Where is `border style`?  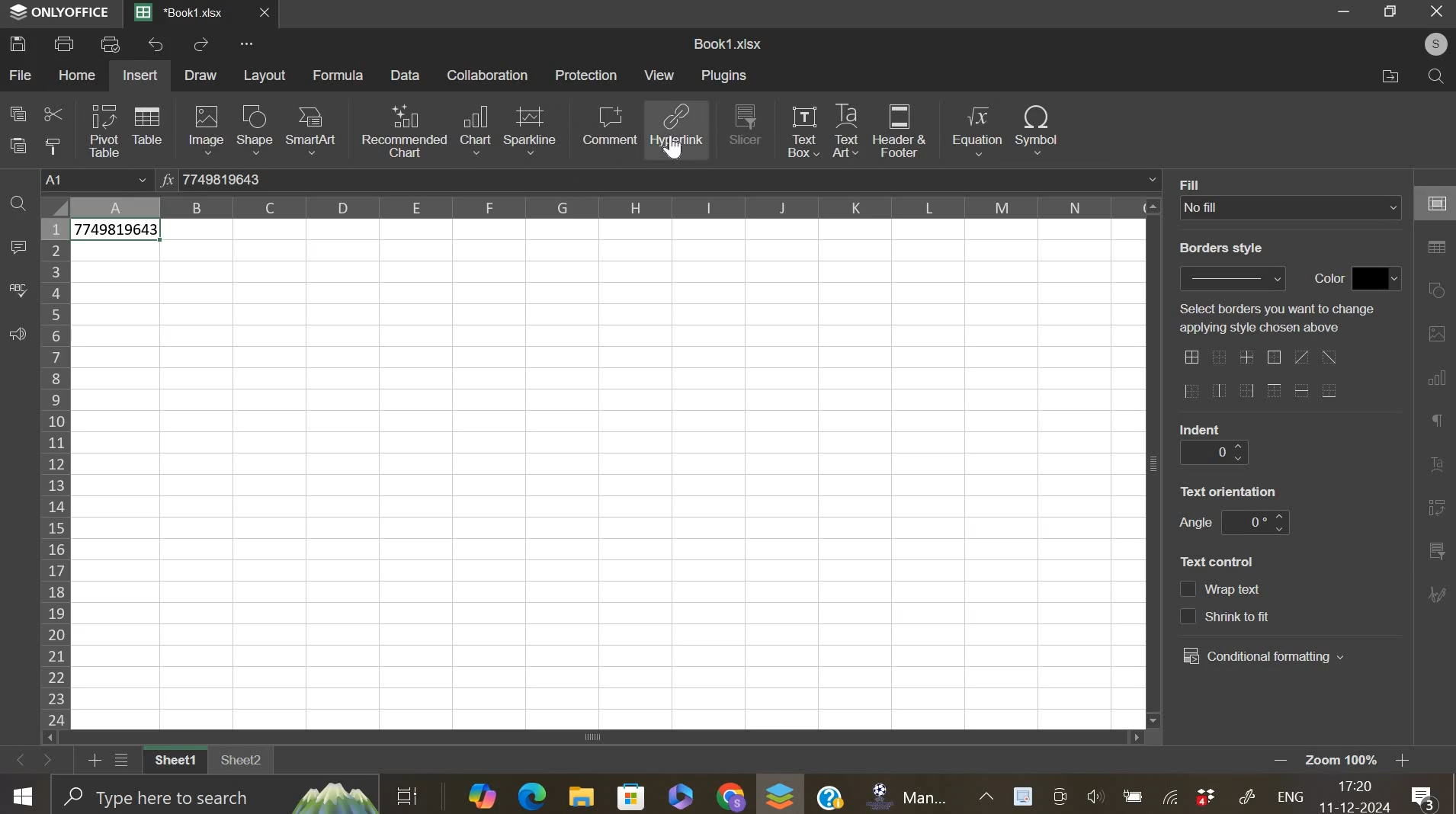
border style is located at coordinates (1232, 278).